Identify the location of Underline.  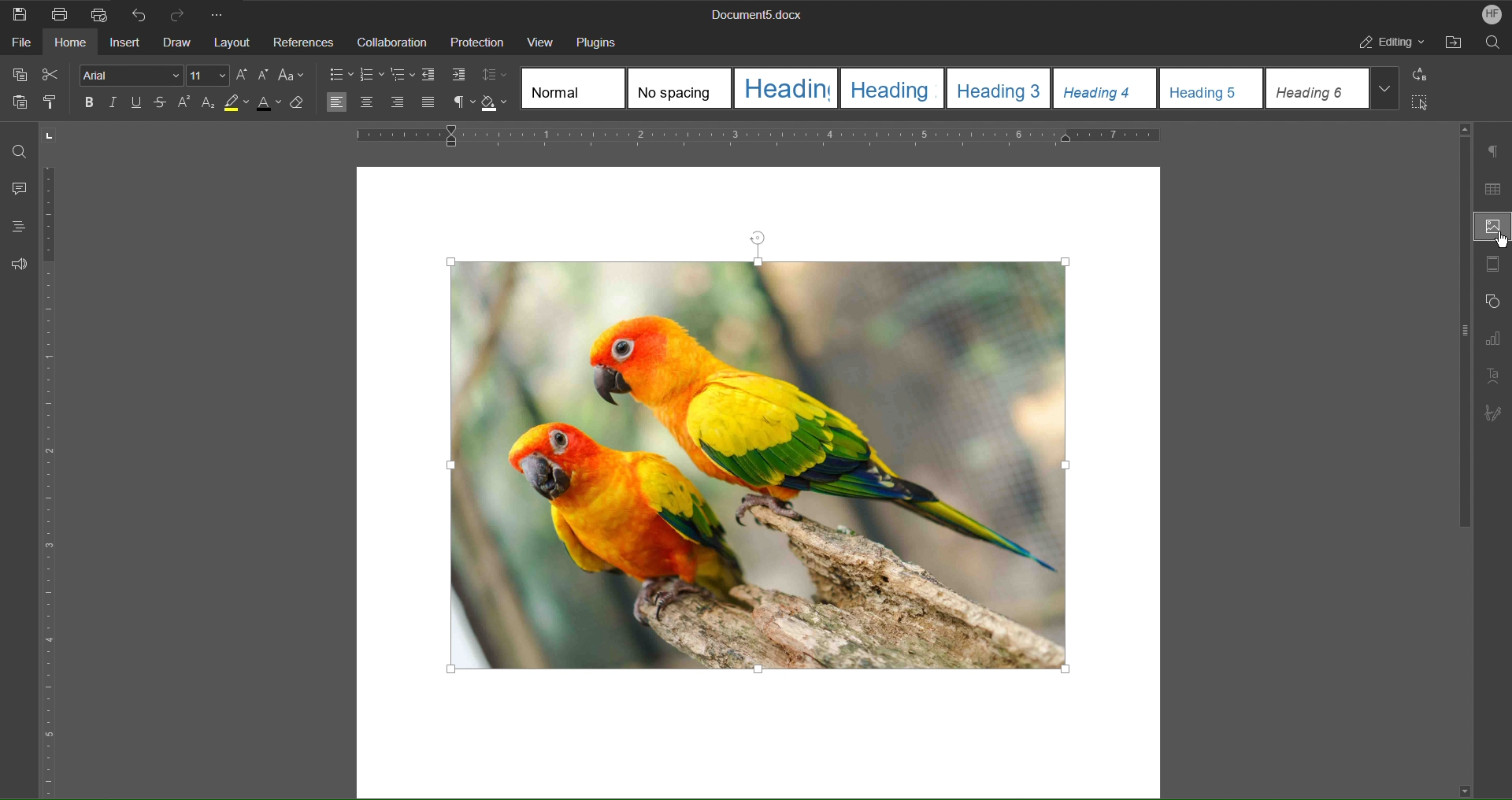
(140, 104).